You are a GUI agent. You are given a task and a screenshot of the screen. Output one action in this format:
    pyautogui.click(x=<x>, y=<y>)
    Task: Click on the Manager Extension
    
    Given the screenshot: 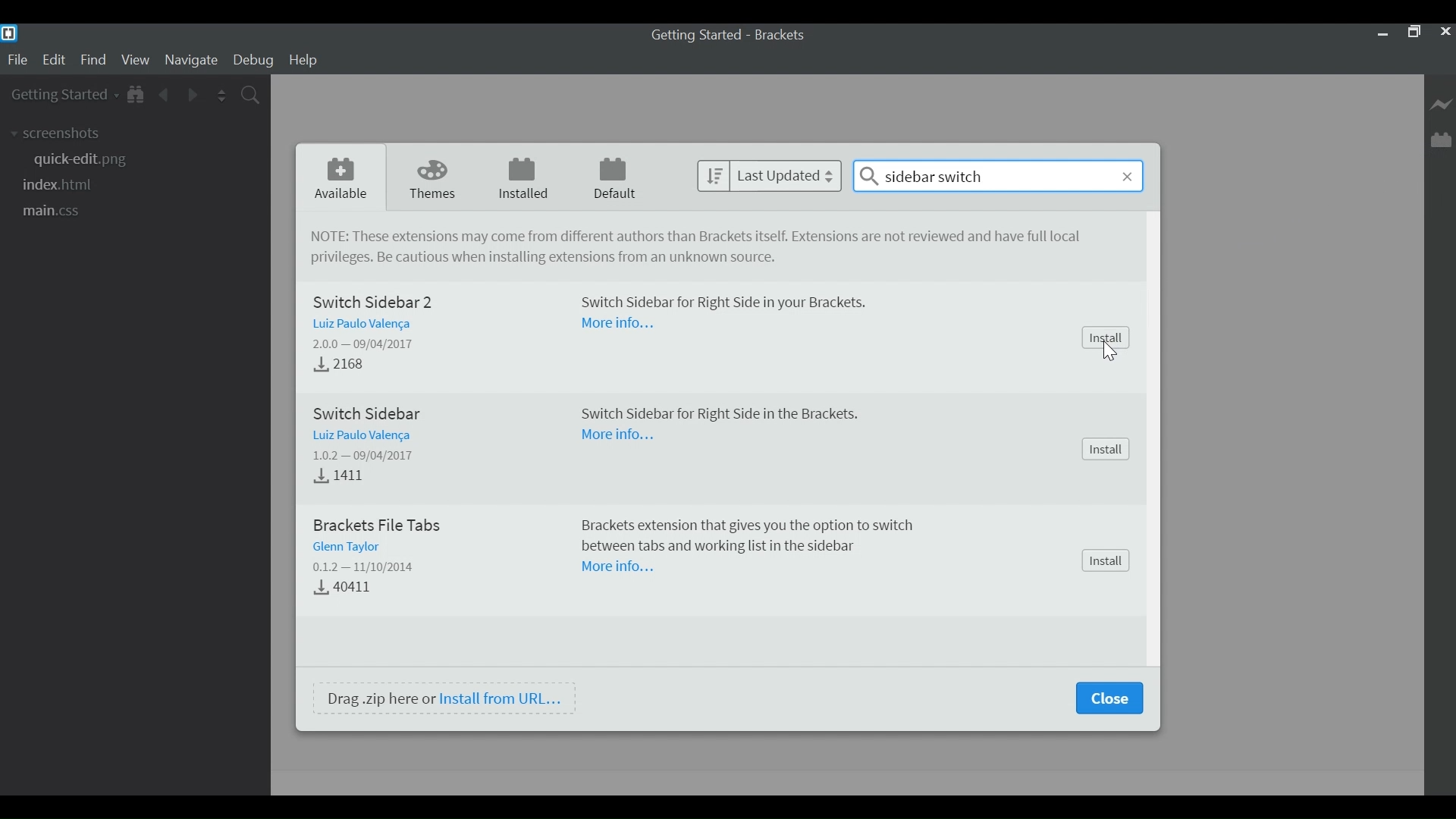 What is the action you would take?
    pyautogui.click(x=1439, y=140)
    